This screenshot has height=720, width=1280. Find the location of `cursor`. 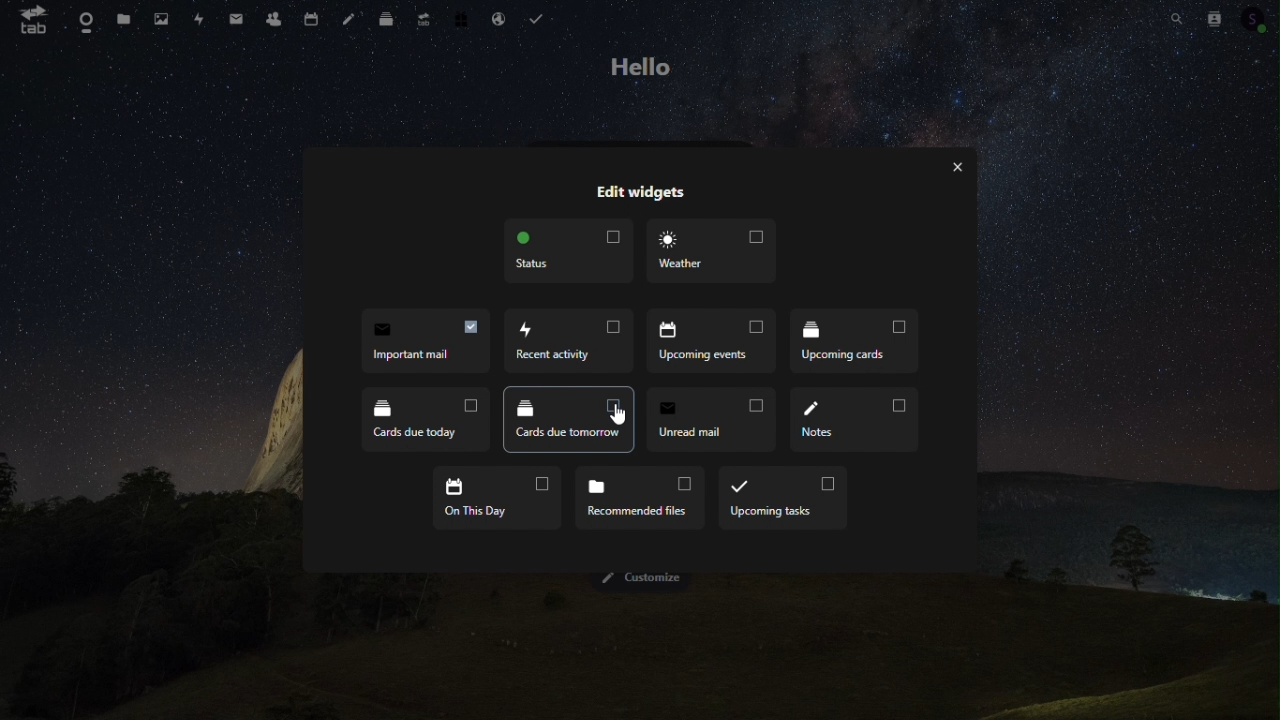

cursor is located at coordinates (620, 416).